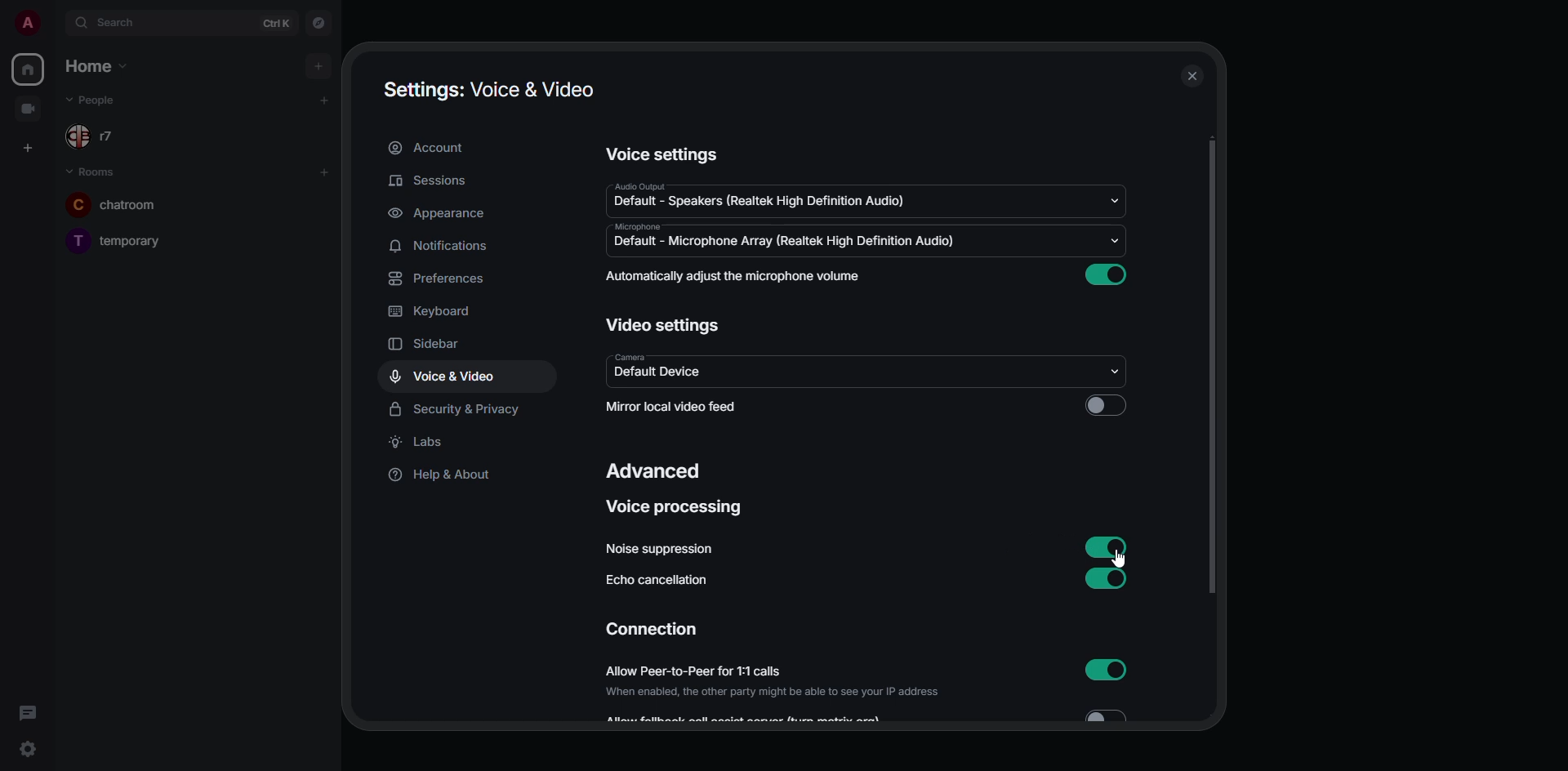 This screenshot has height=771, width=1568. I want to click on toggle, so click(1111, 715).